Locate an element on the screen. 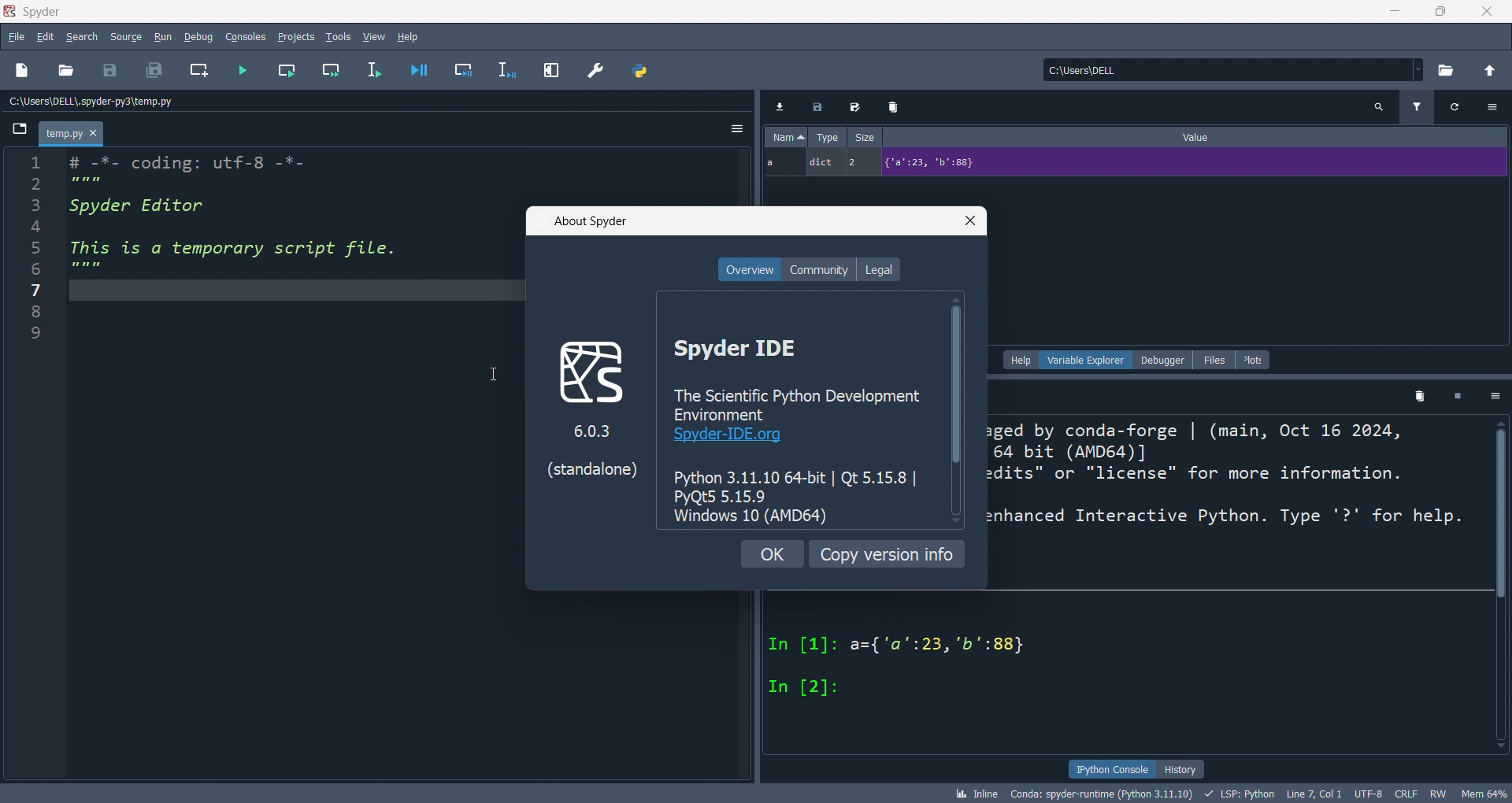 The height and width of the screenshot is (803, 1512). close is located at coordinates (968, 221).